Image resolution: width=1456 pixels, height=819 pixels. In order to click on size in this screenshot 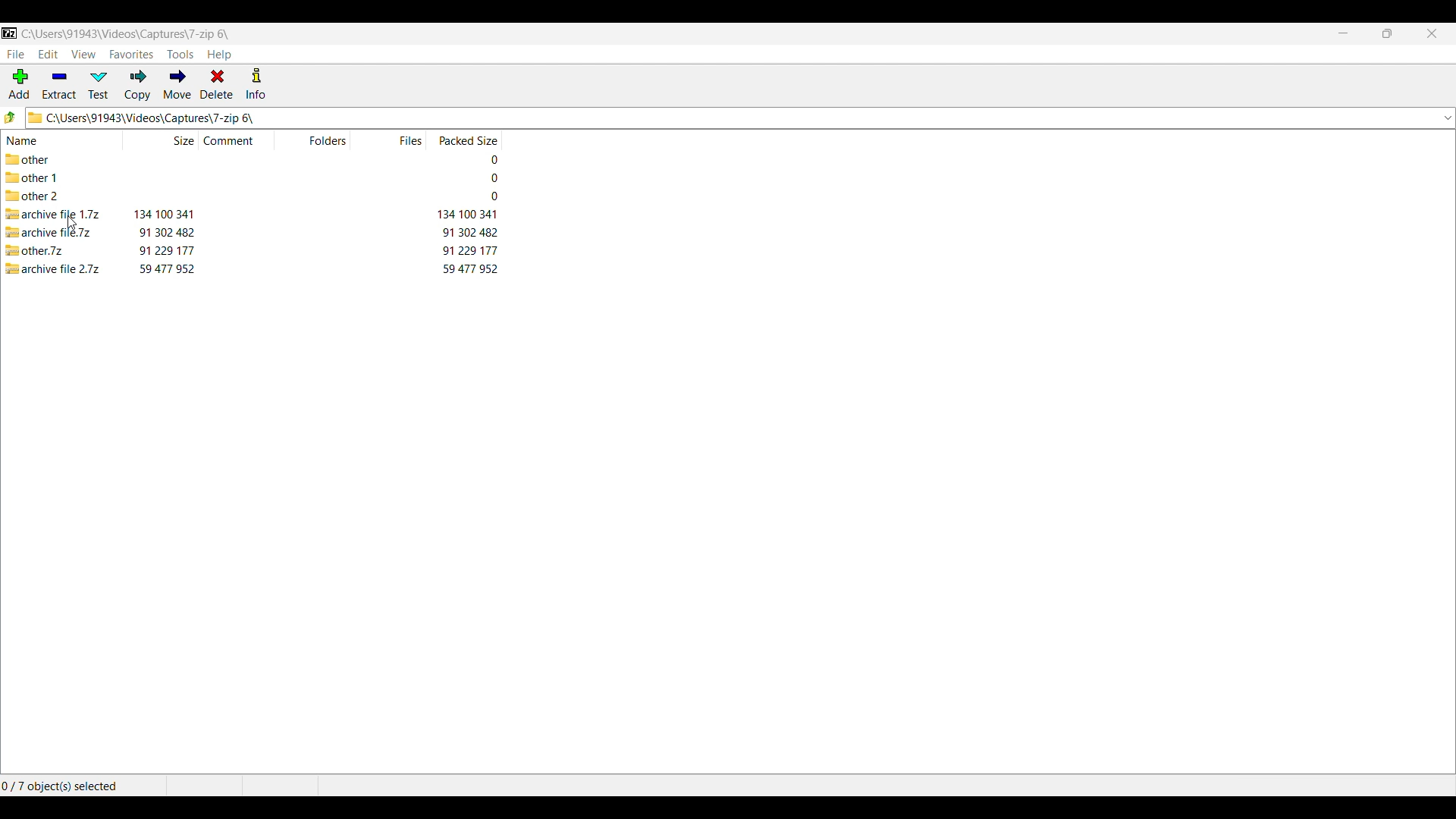, I will do `click(166, 249)`.